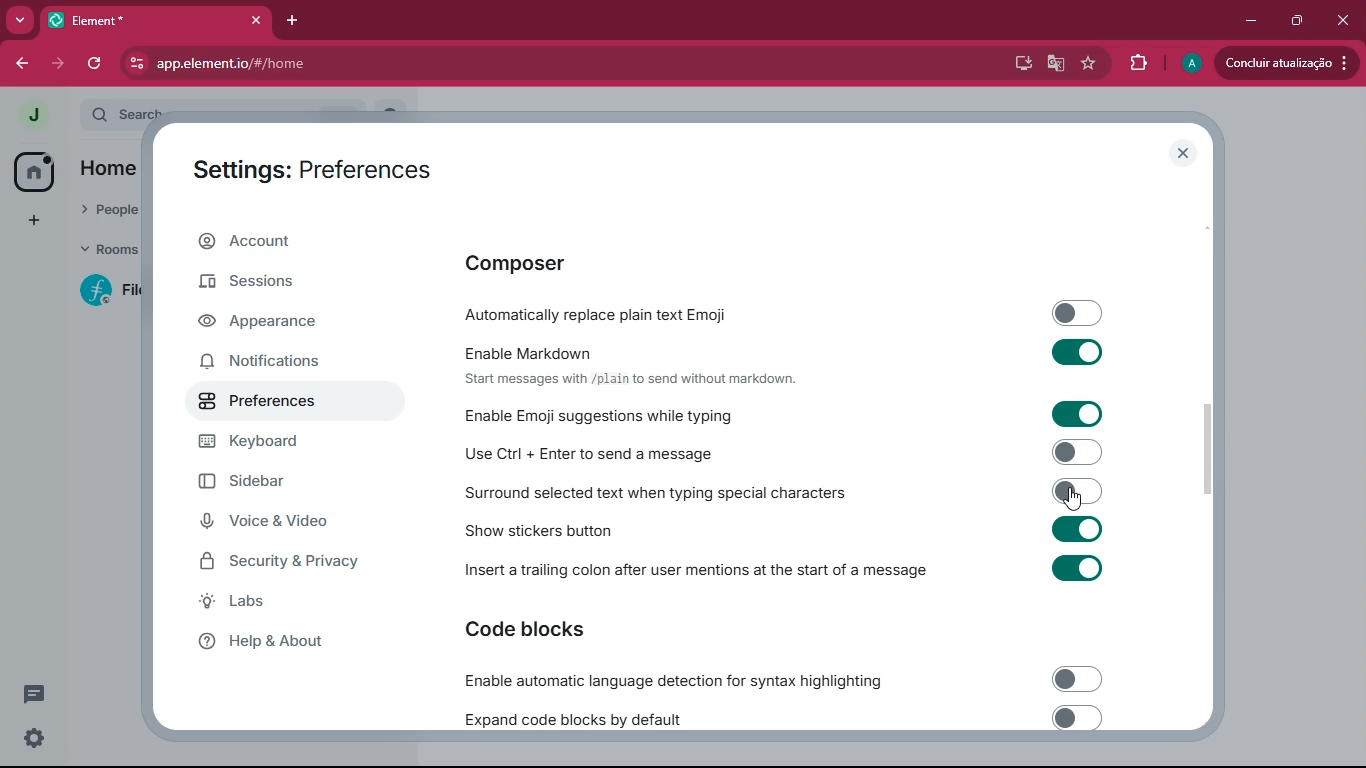  I want to click on preferences, so click(275, 406).